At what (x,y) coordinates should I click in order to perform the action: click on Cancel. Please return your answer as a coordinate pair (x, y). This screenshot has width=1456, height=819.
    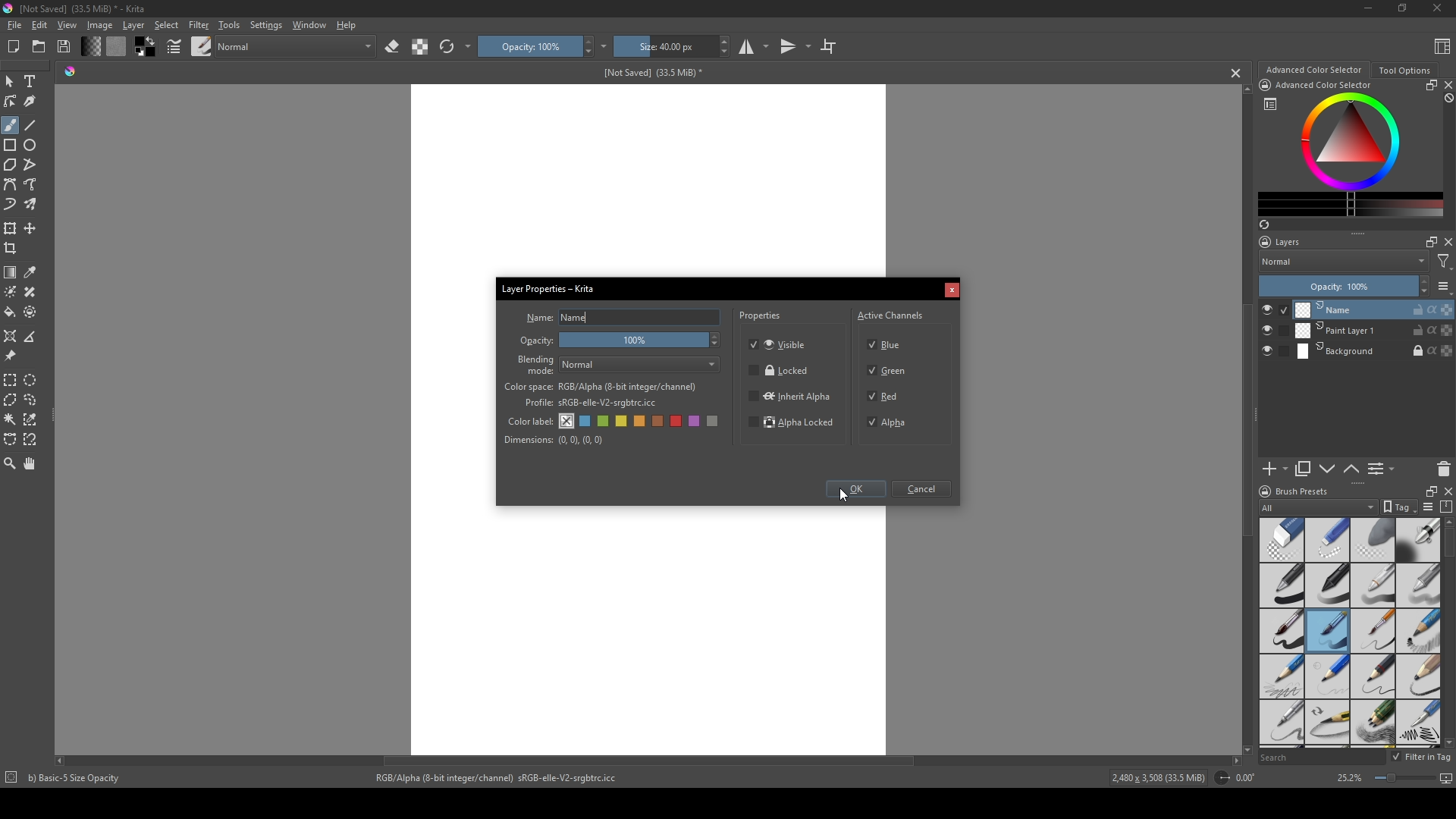
    Looking at the image, I should click on (924, 490).